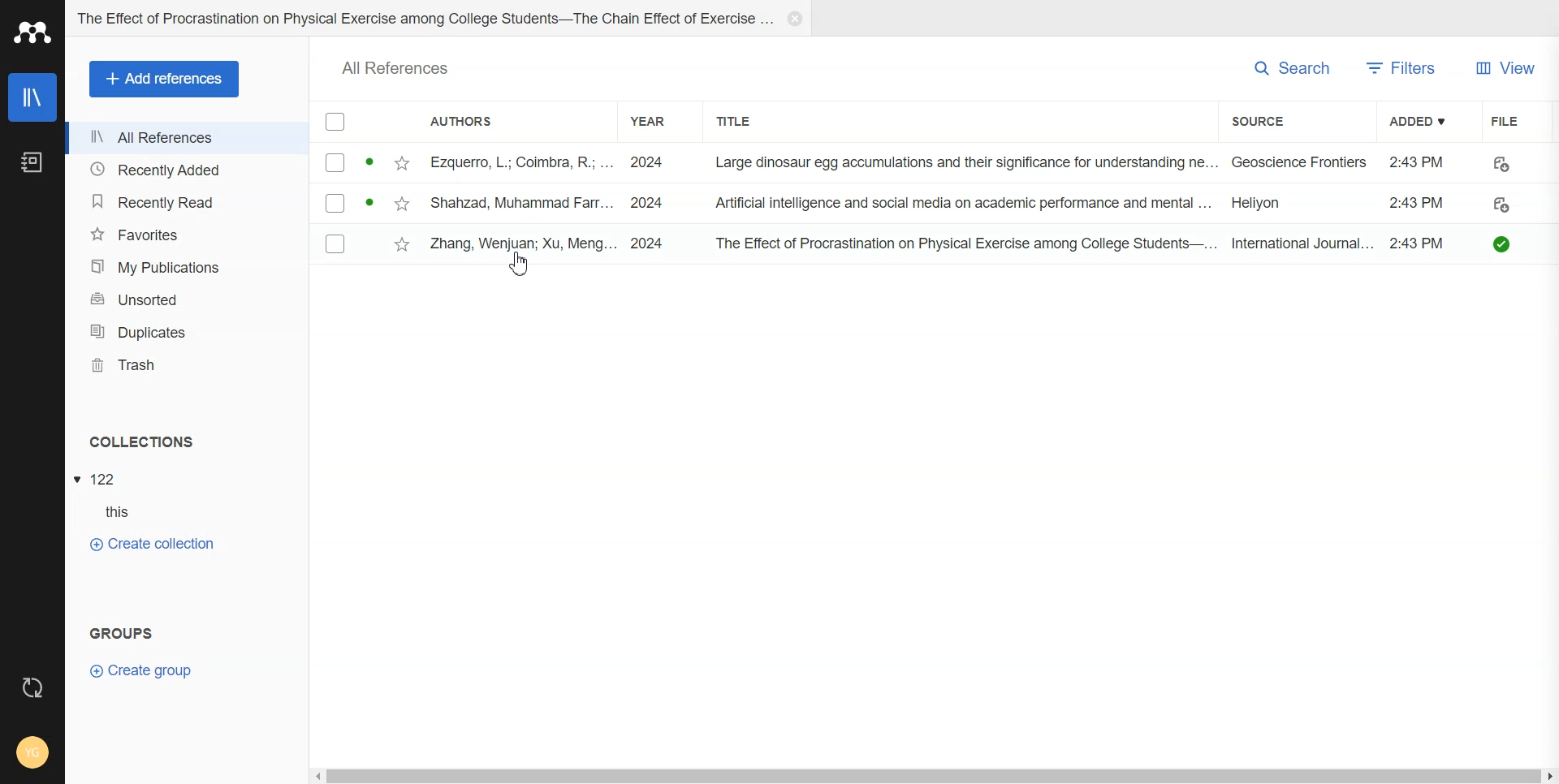  I want to click on Sources, so click(1265, 121).